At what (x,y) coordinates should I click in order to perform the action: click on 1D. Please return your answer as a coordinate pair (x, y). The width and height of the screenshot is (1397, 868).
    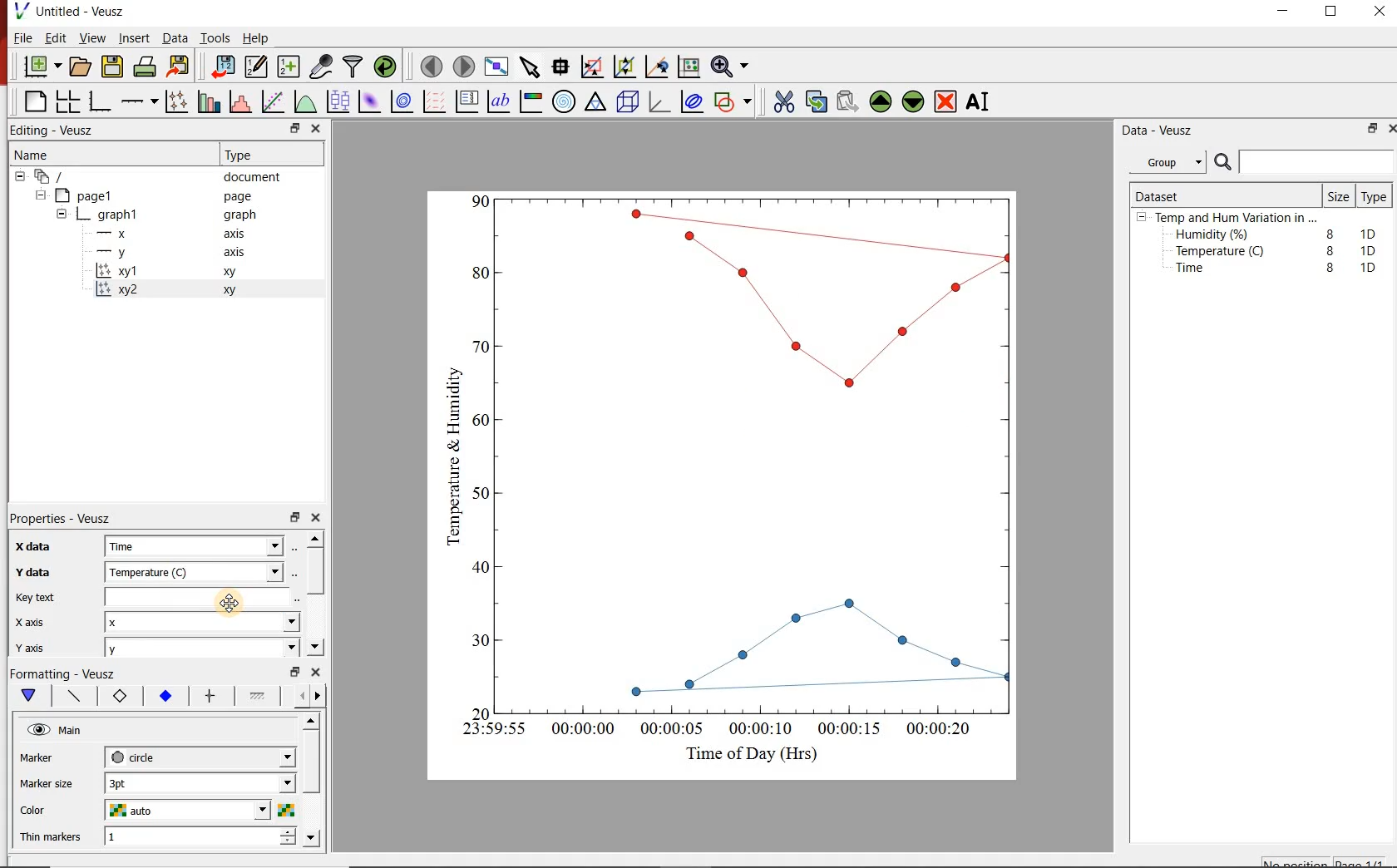
    Looking at the image, I should click on (1372, 232).